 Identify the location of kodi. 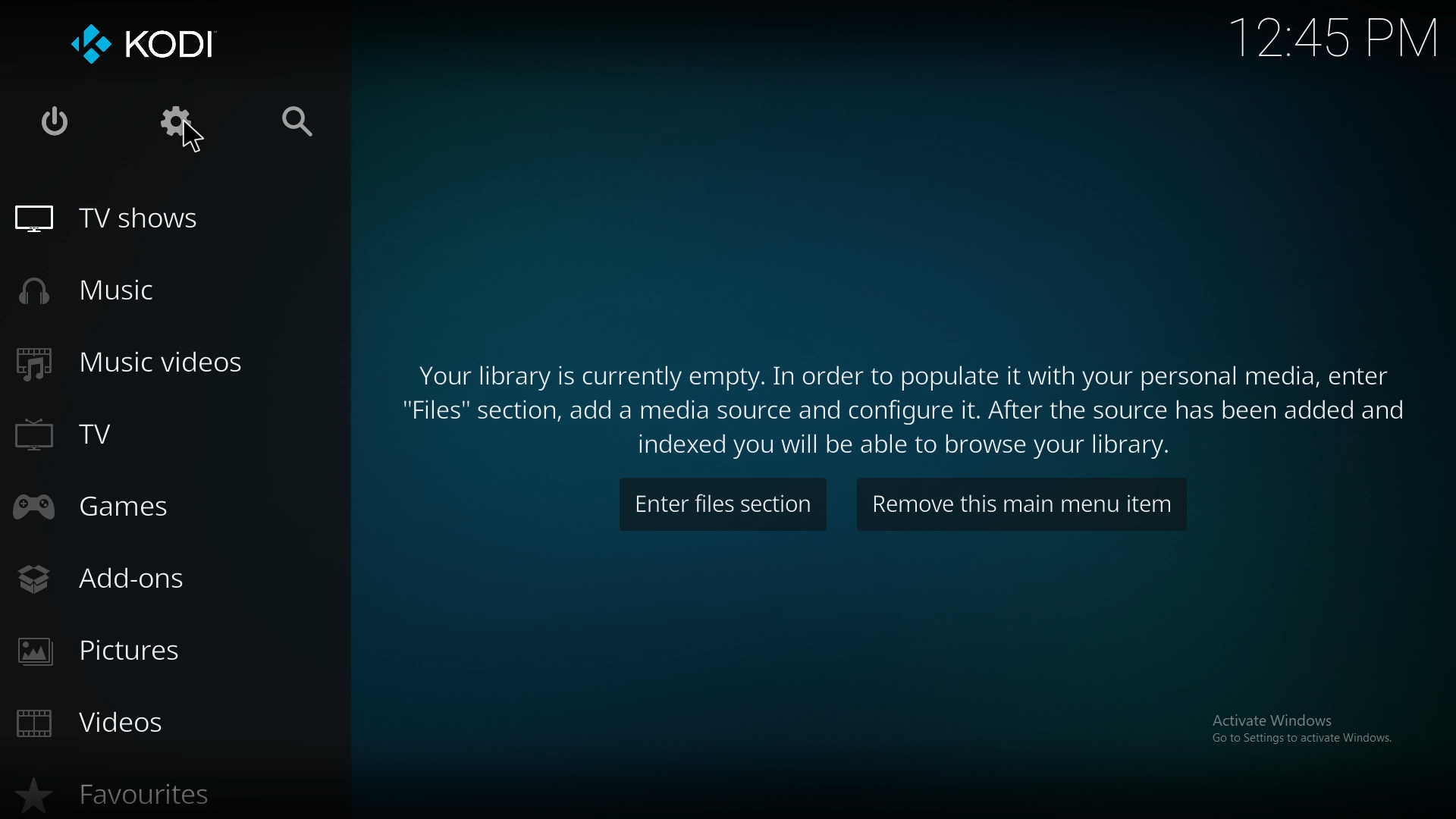
(146, 45).